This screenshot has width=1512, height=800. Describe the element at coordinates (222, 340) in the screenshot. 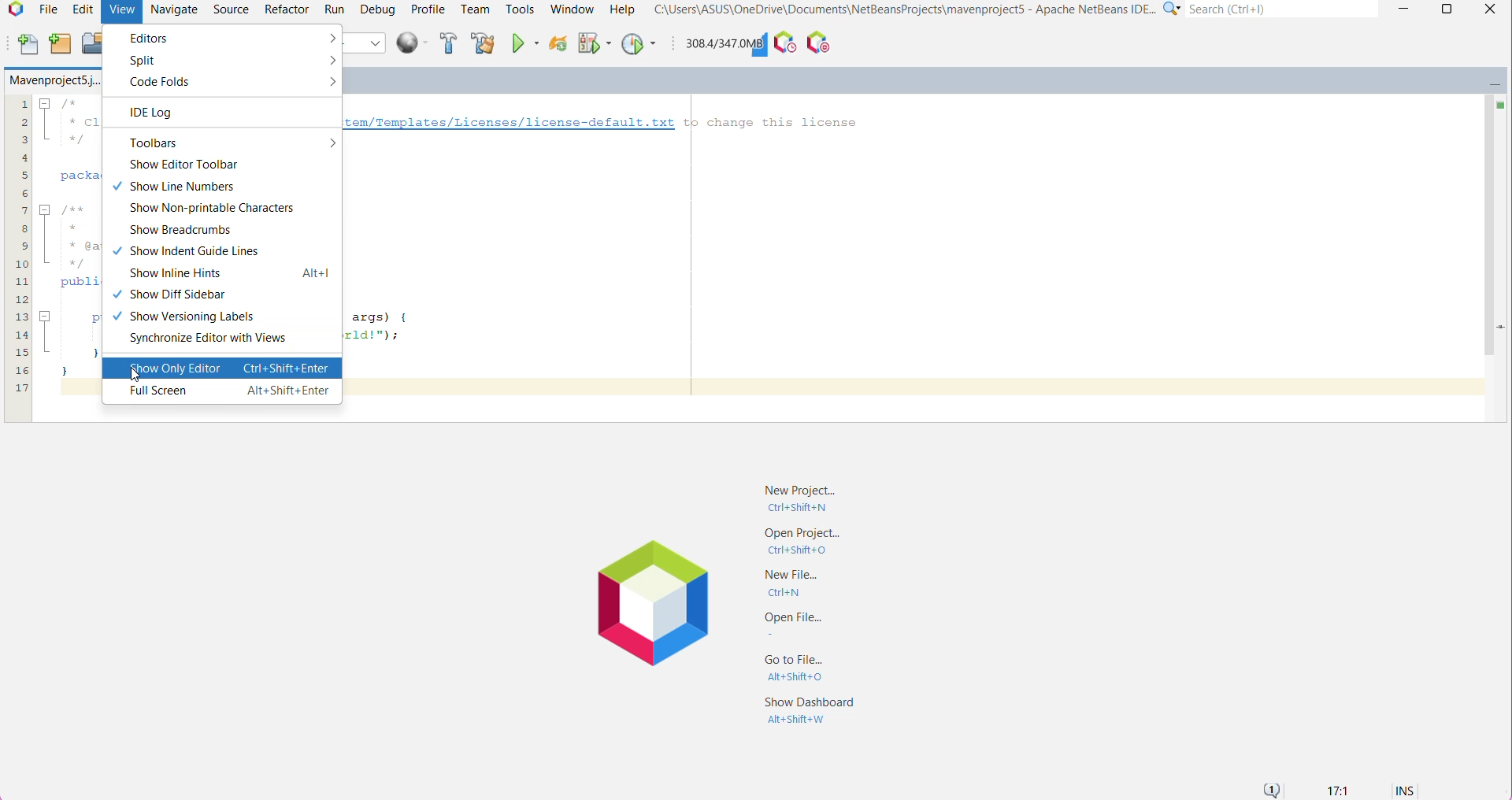

I see `Synchronize Editor with Views` at that location.